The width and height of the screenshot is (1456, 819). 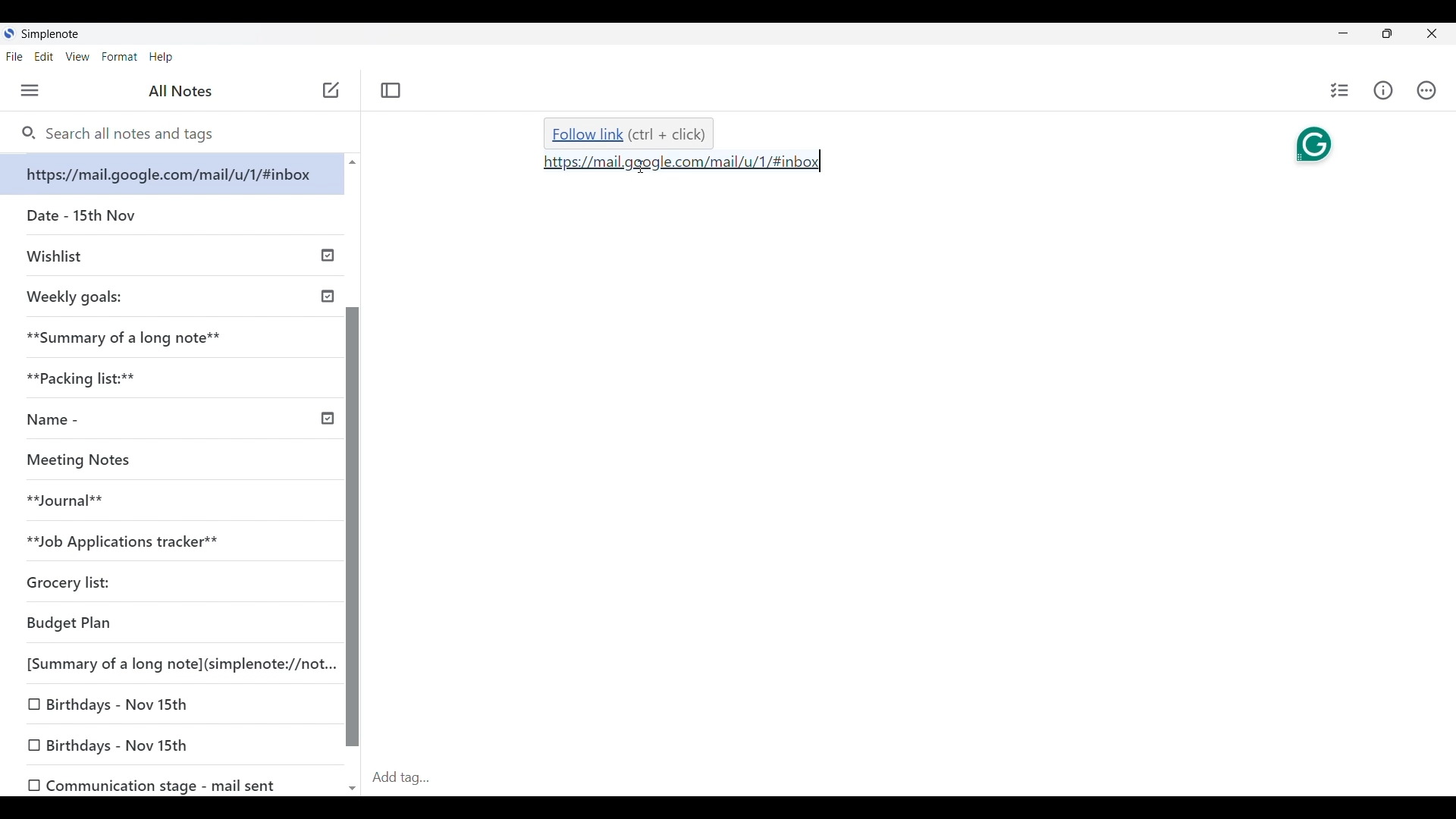 I want to click on *%
Packi
acking list:**, so click(x=90, y=376).